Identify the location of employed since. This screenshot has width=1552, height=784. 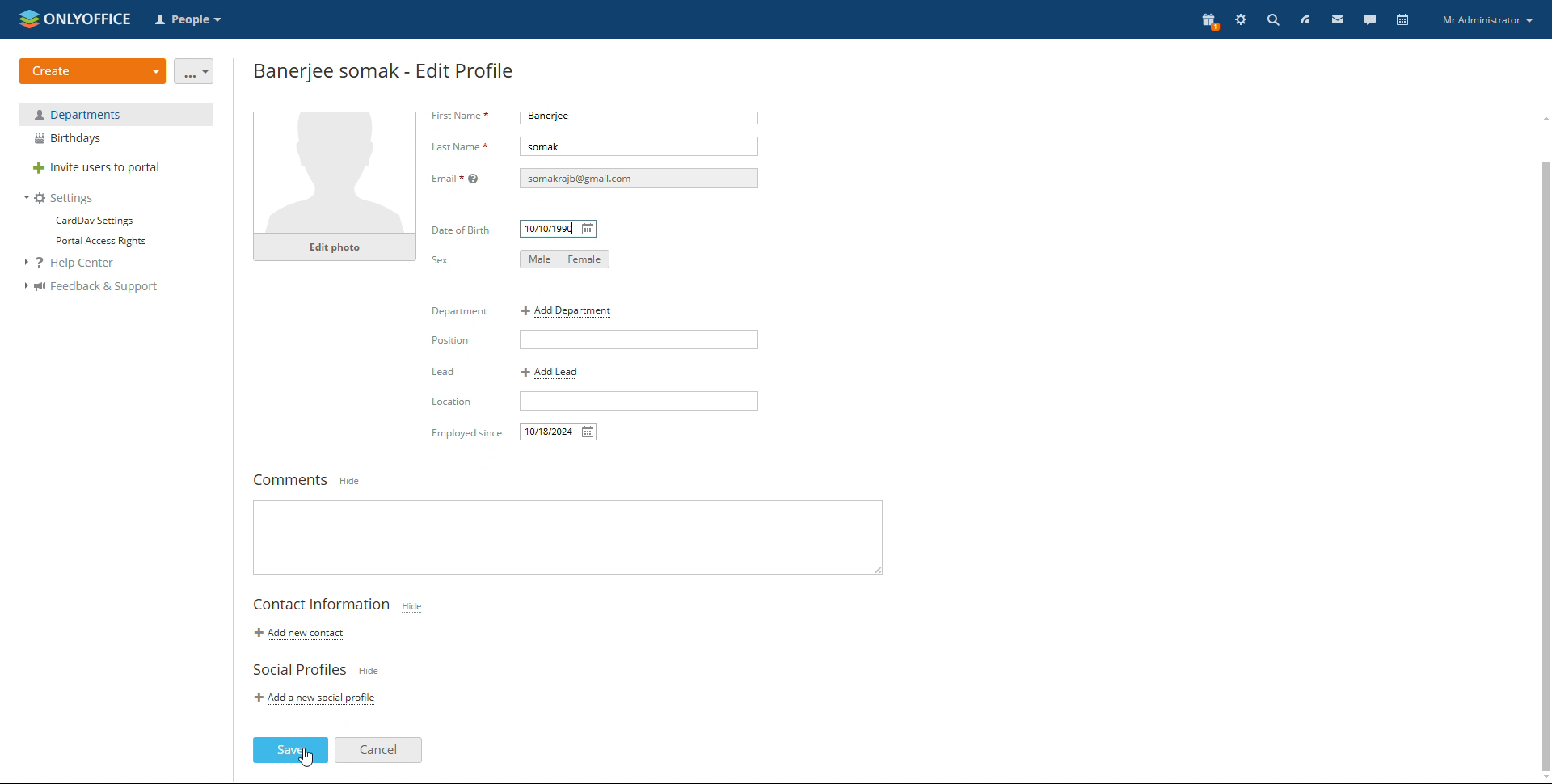
(559, 432).